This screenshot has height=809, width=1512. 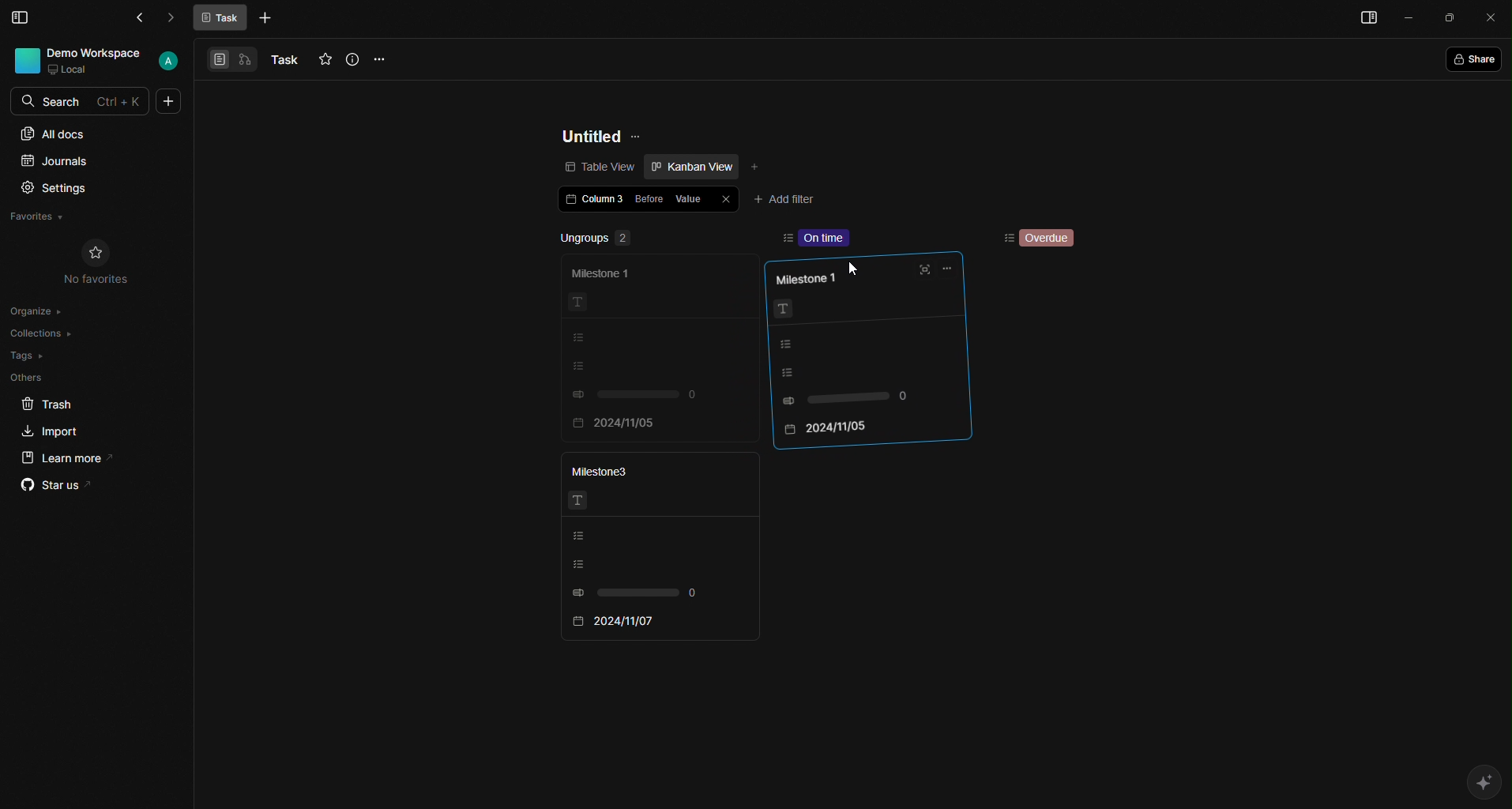 What do you see at coordinates (284, 60) in the screenshot?
I see `Task` at bounding box center [284, 60].